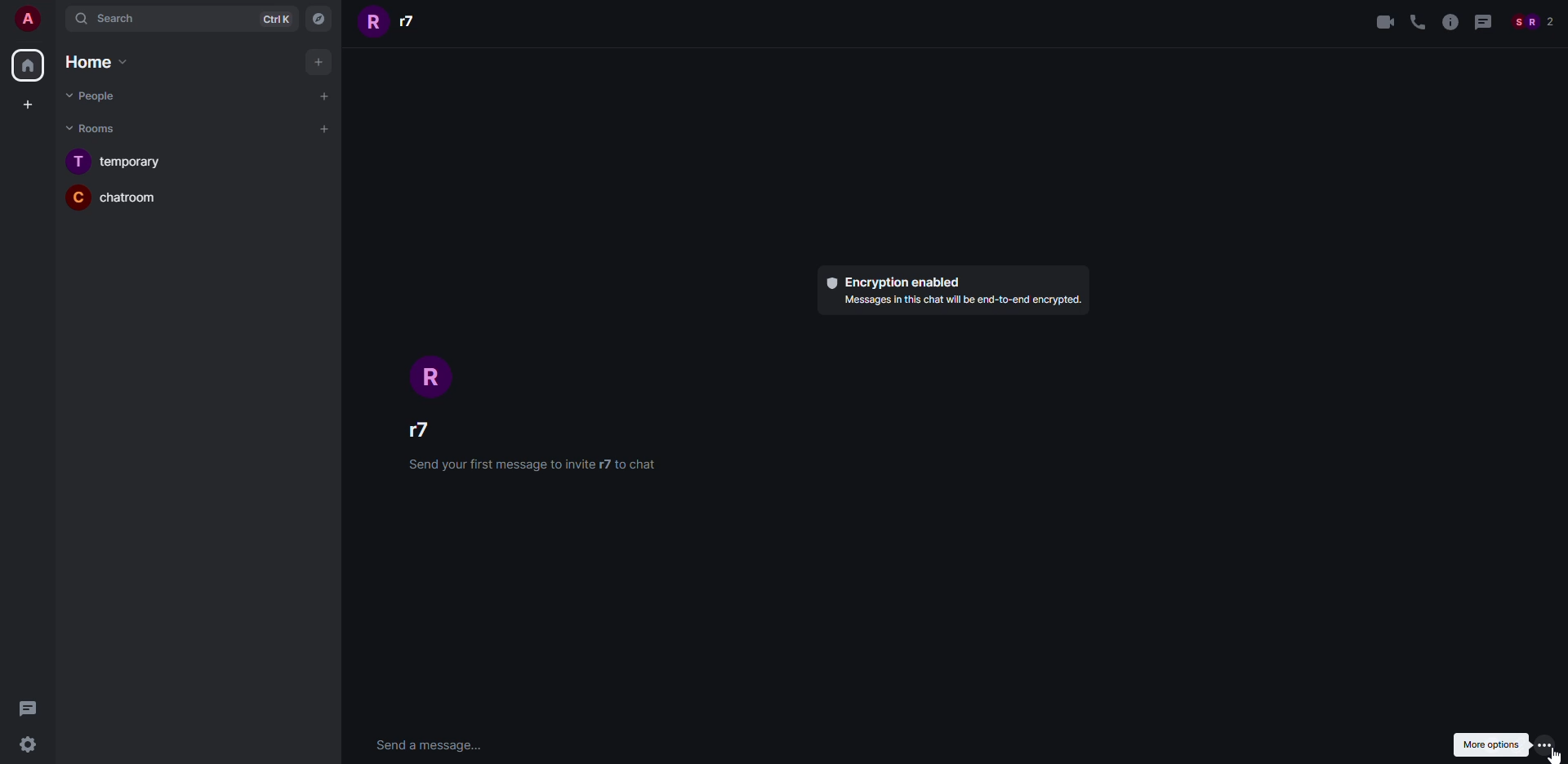 The width and height of the screenshot is (1568, 764). Describe the element at coordinates (325, 130) in the screenshot. I see `New room` at that location.